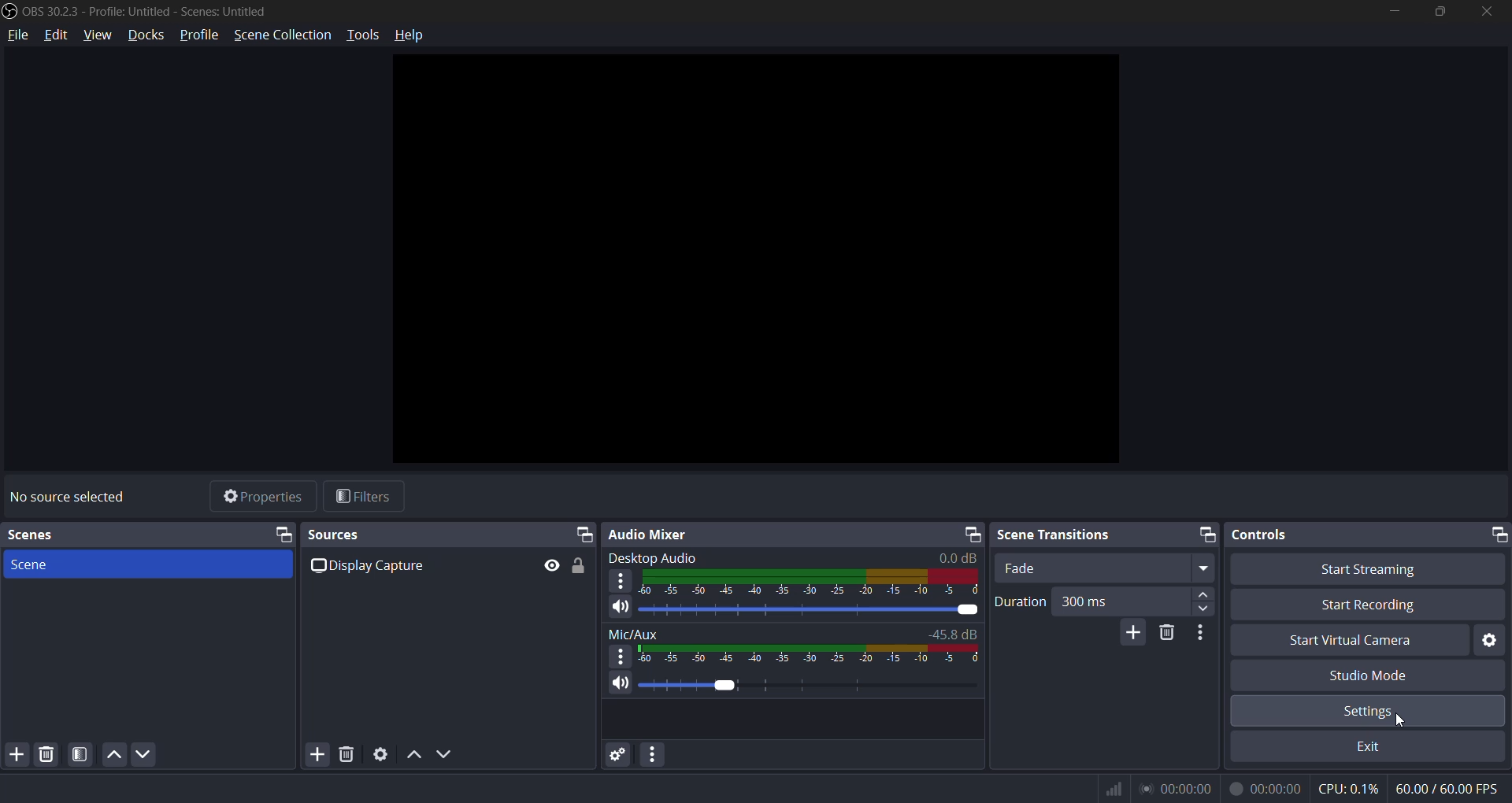 This screenshot has width=1512, height=803. Describe the element at coordinates (371, 568) in the screenshot. I see `display capture` at that location.